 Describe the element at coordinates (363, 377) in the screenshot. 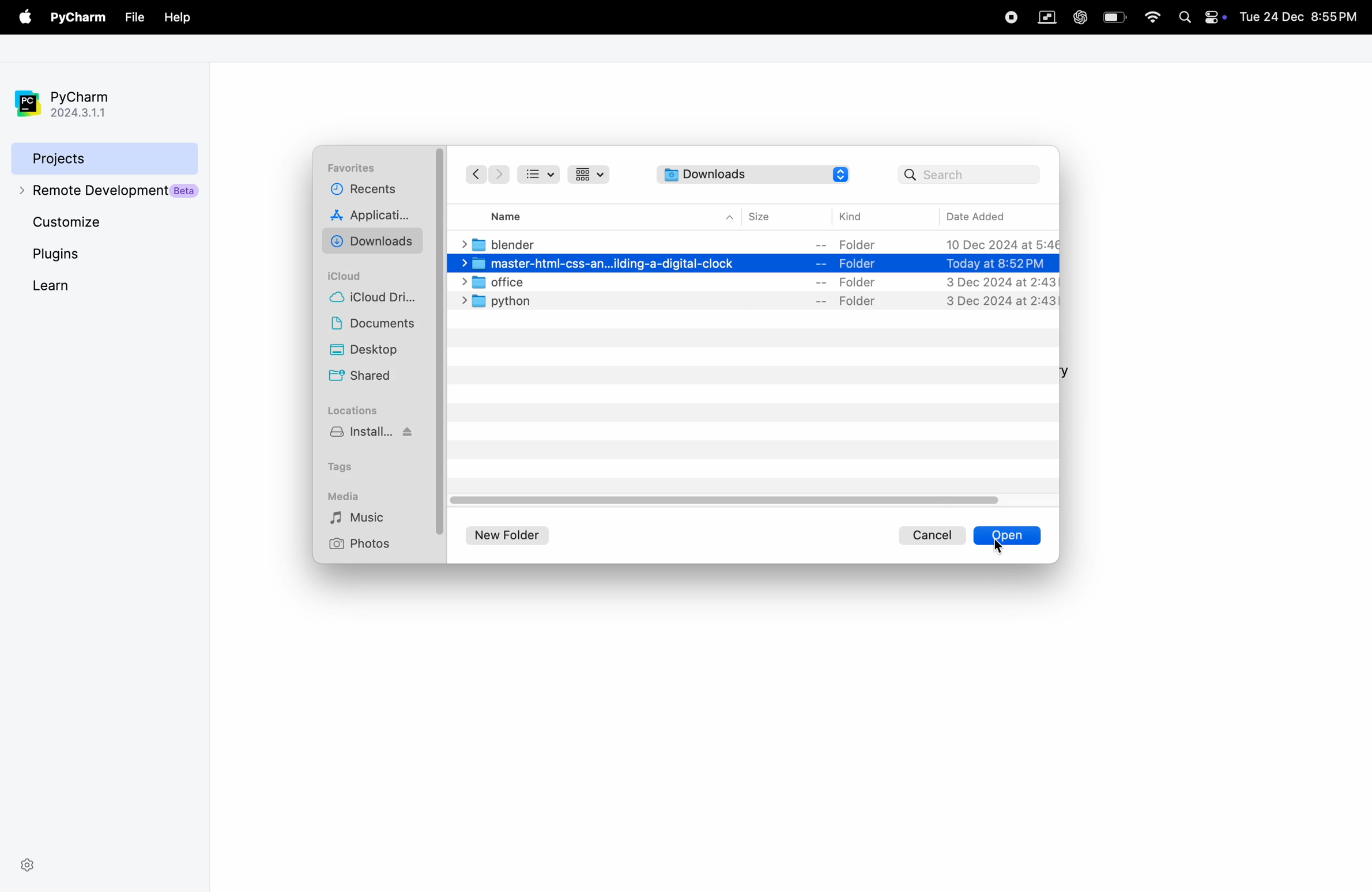

I see `shared` at that location.